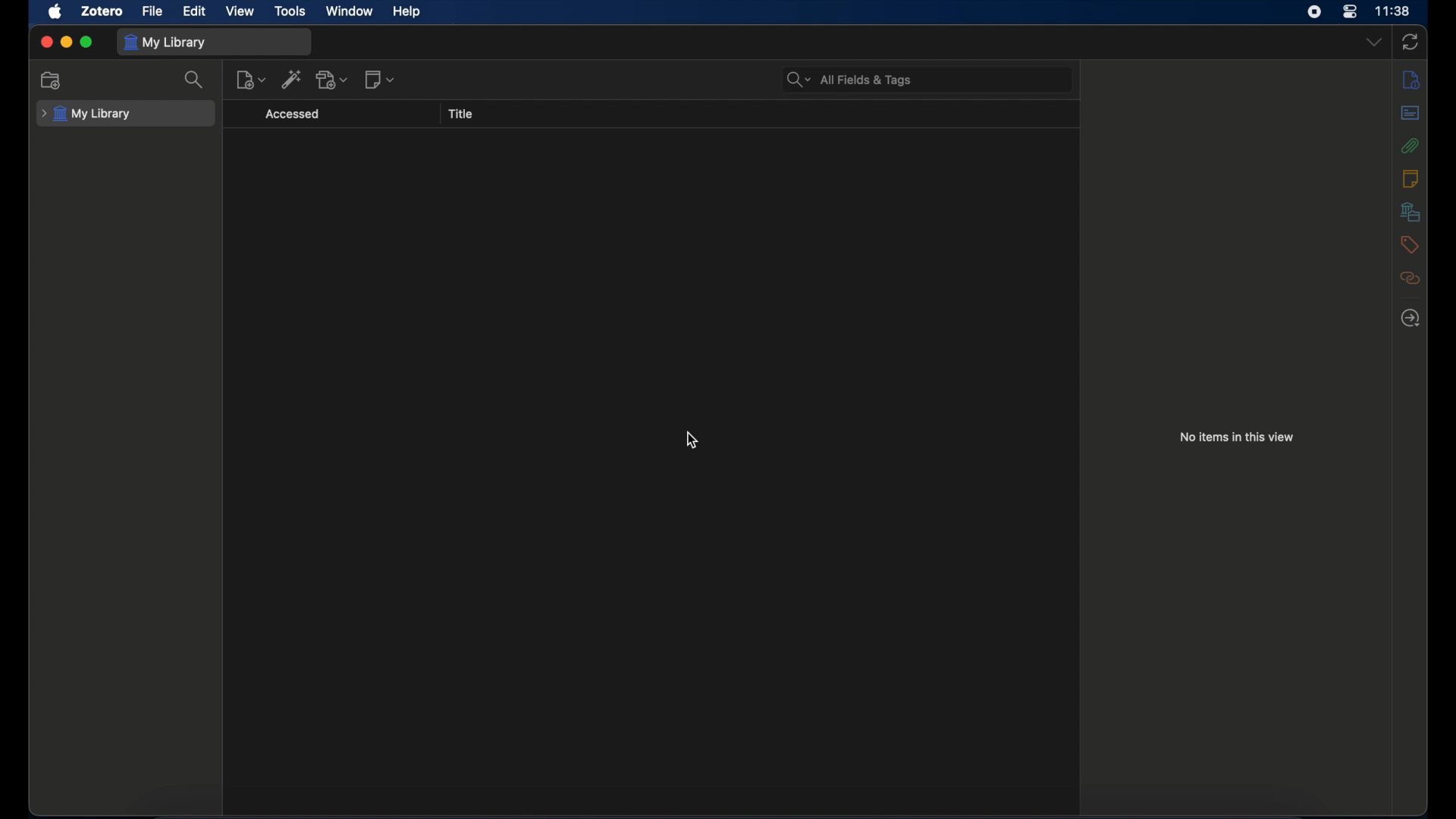 This screenshot has height=819, width=1456. Describe the element at coordinates (1410, 113) in the screenshot. I see `abstract` at that location.